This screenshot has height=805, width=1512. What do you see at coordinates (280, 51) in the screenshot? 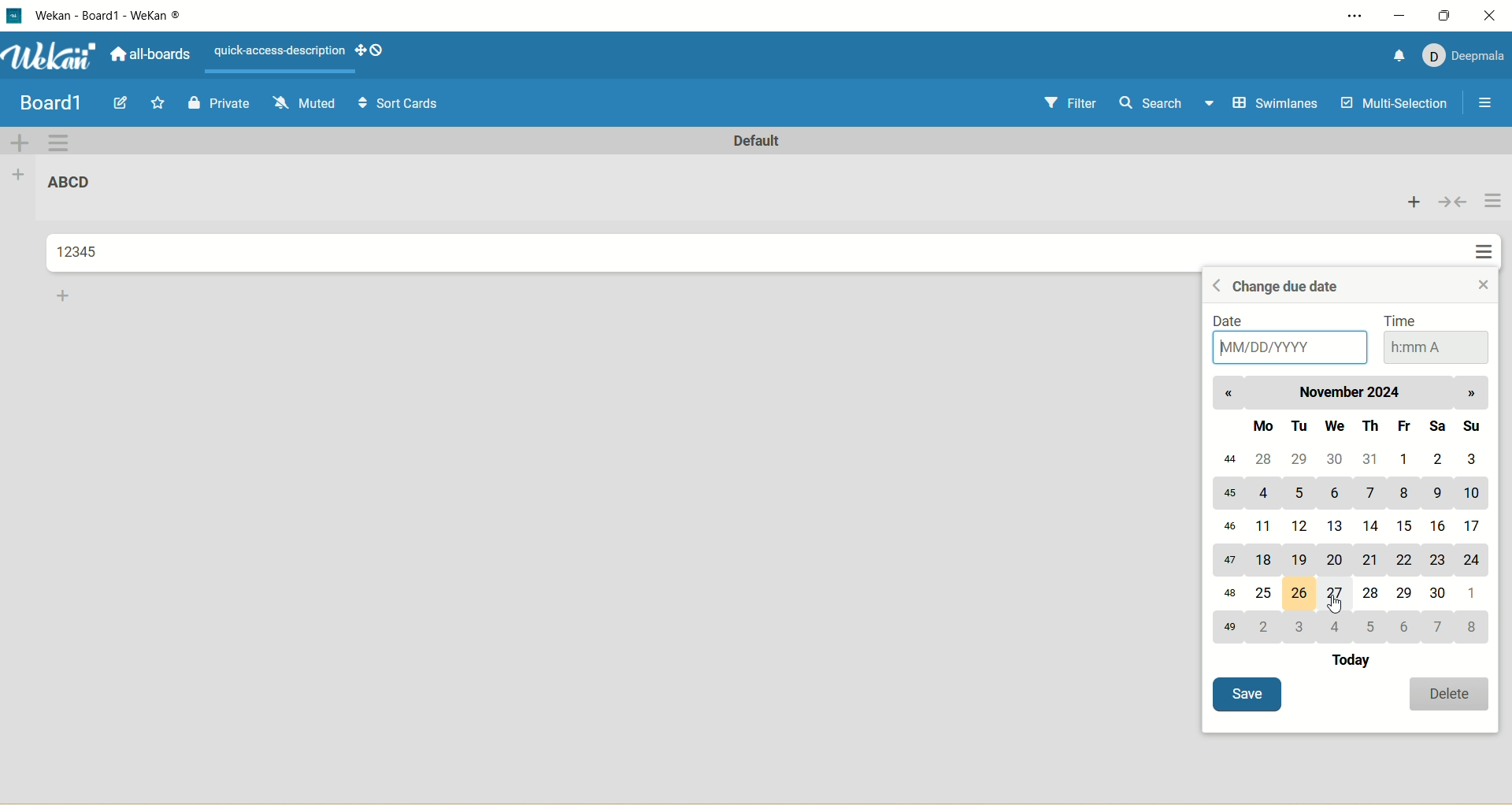
I see `text` at bounding box center [280, 51].